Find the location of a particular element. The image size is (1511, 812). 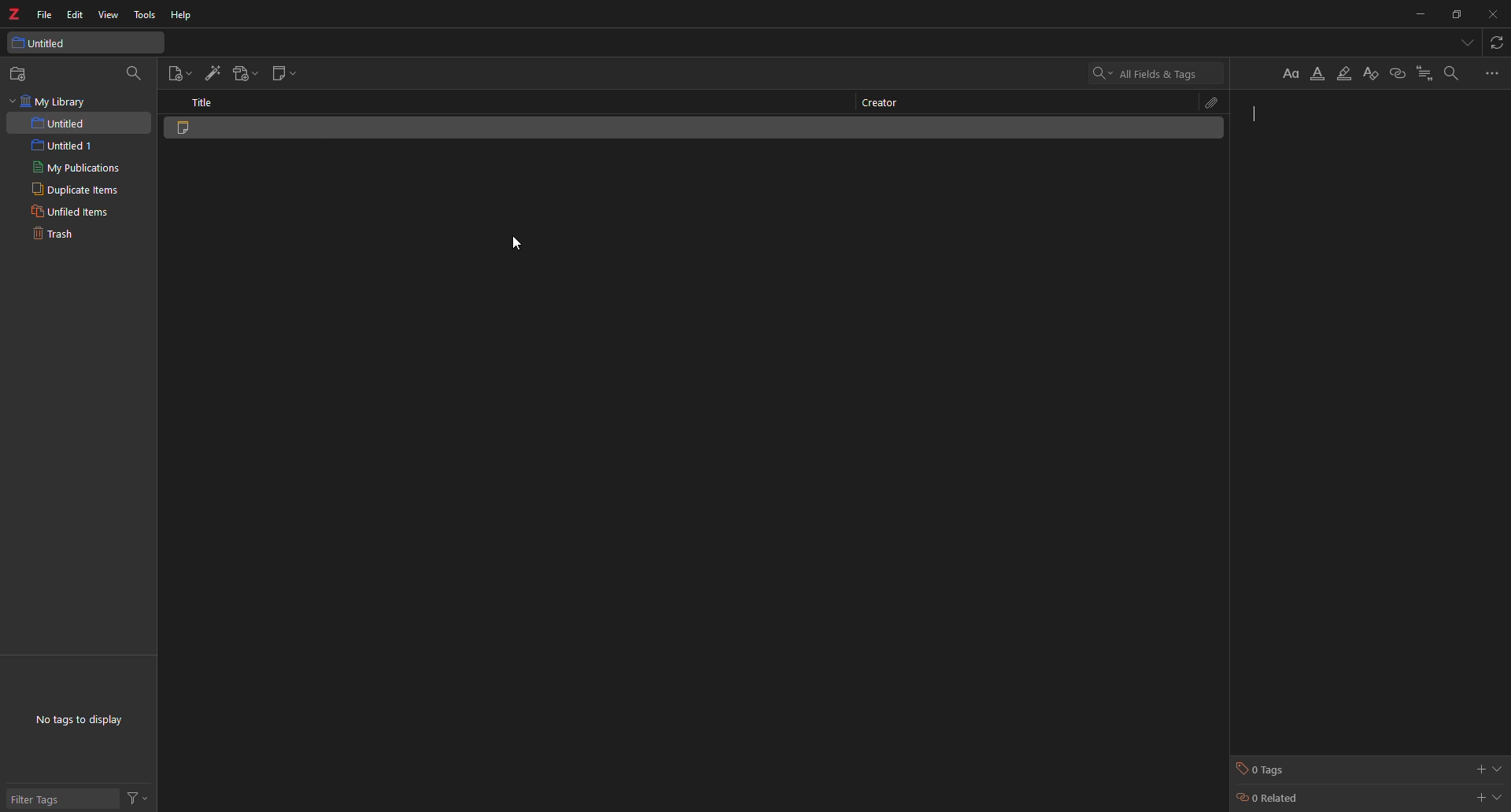

add item is located at coordinates (212, 73).